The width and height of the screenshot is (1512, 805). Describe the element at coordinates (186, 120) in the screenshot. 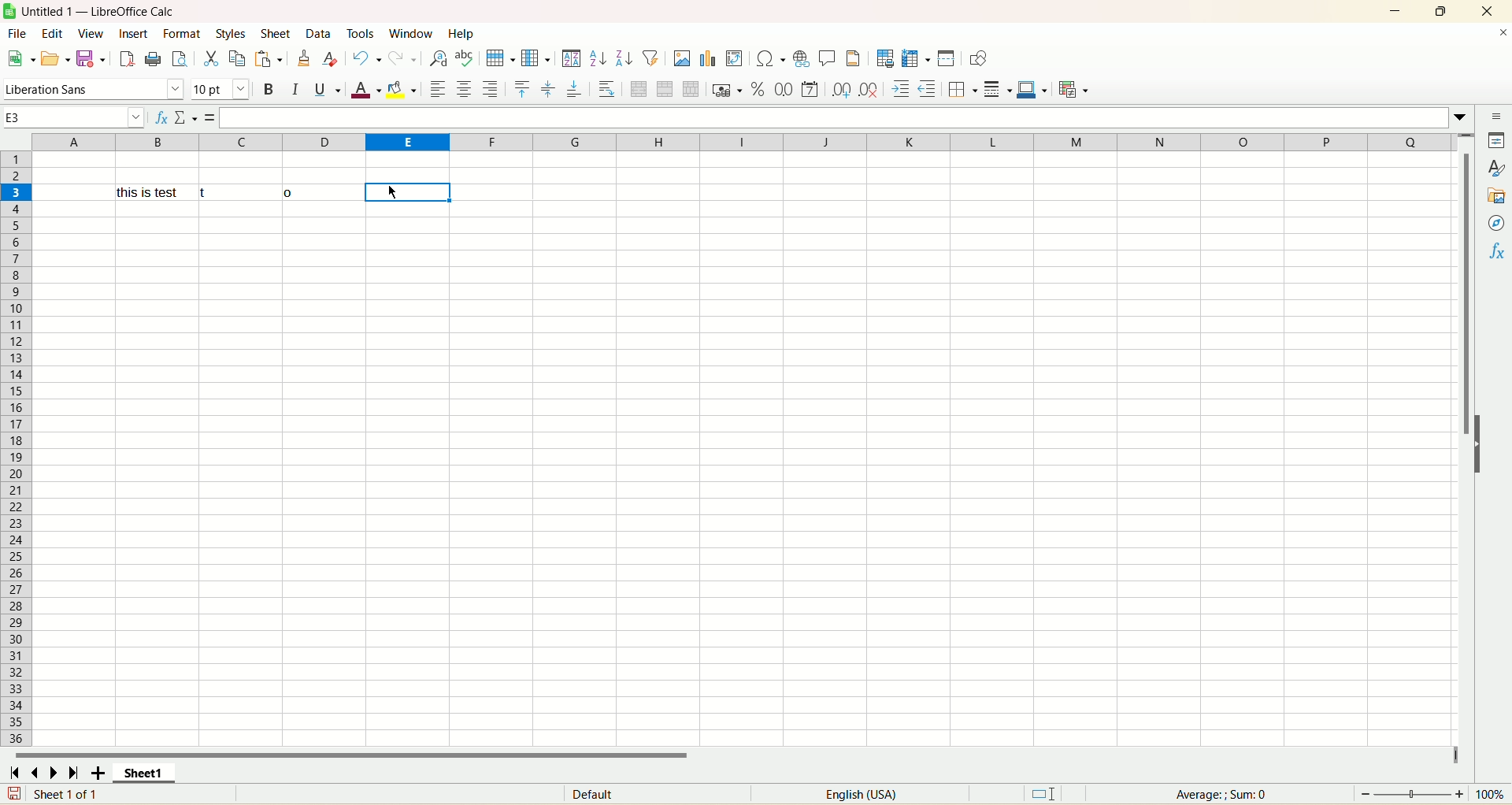

I see `select function` at that location.